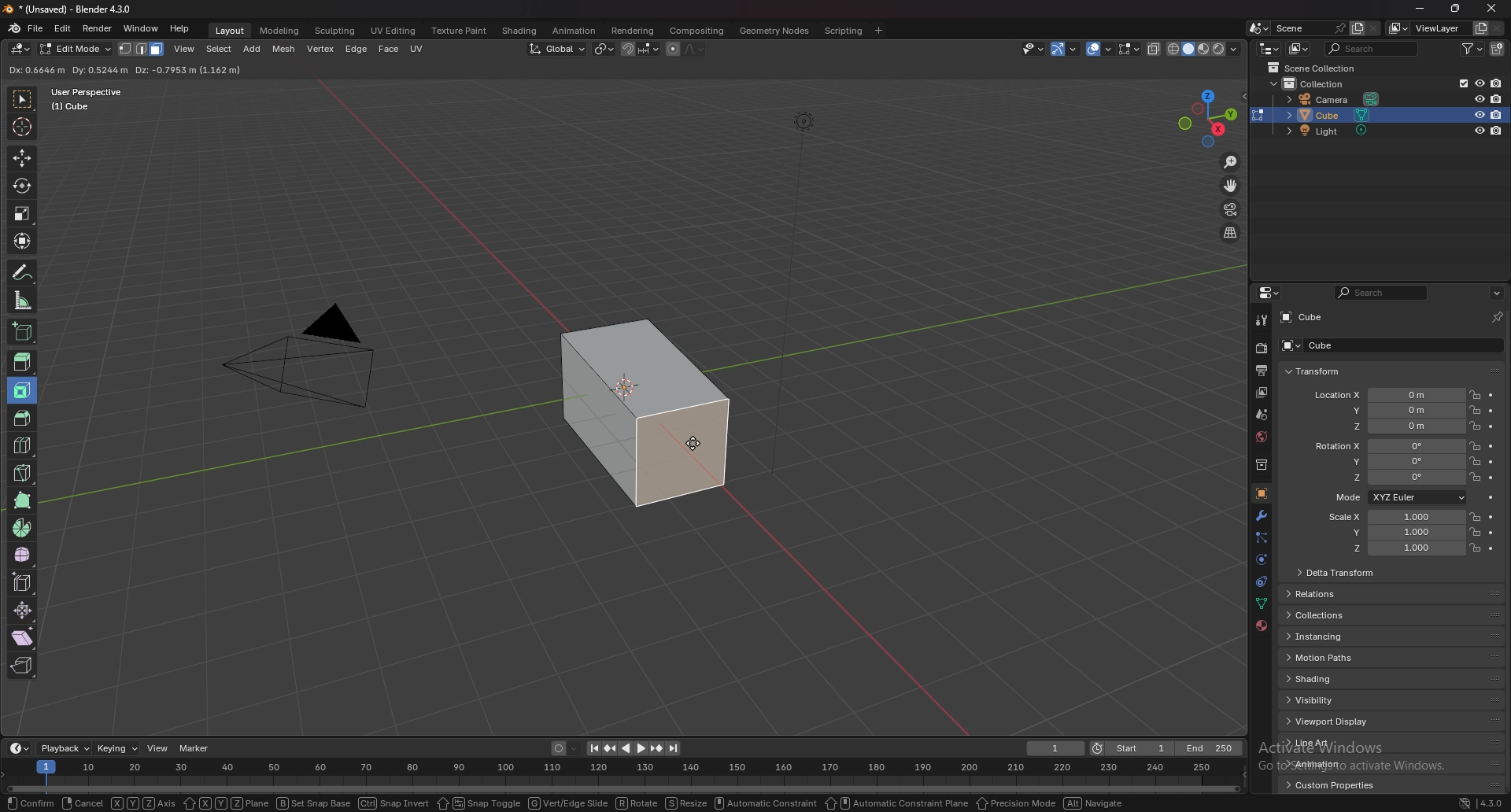  What do you see at coordinates (674, 748) in the screenshot?
I see `jump to endpoint` at bounding box center [674, 748].